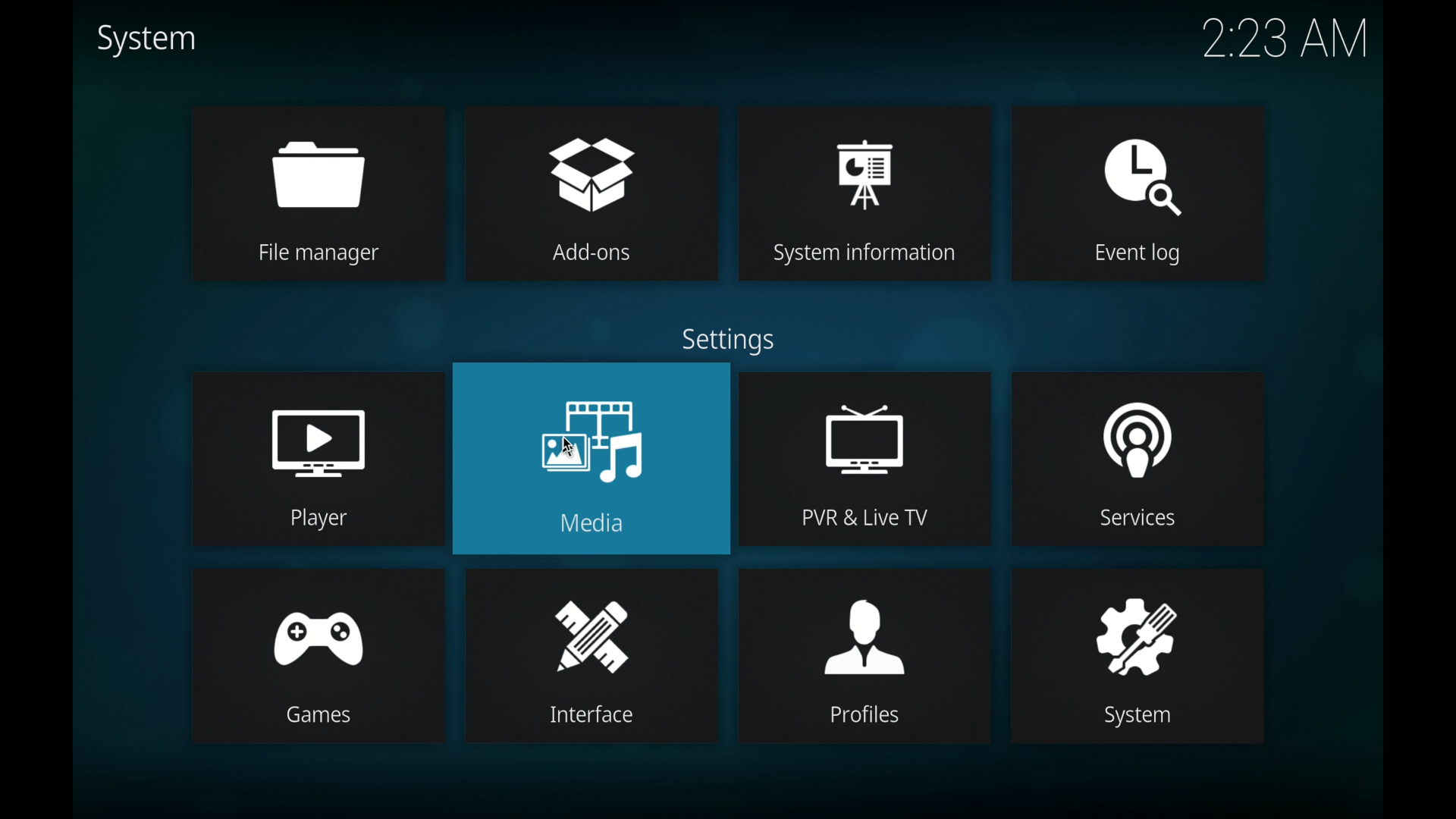 The image size is (1456, 819). Describe the element at coordinates (321, 519) in the screenshot. I see `Player` at that location.